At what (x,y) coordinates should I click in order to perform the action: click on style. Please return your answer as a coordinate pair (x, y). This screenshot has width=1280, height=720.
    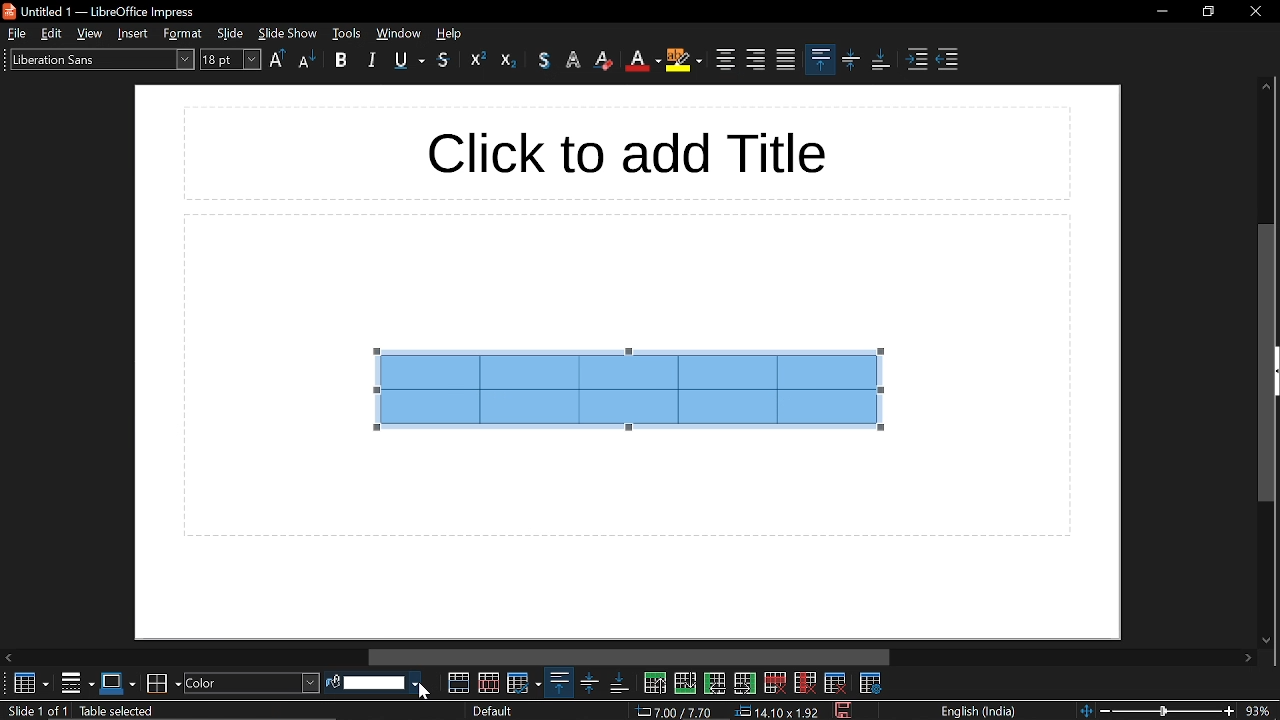
    Looking at the image, I should click on (182, 34).